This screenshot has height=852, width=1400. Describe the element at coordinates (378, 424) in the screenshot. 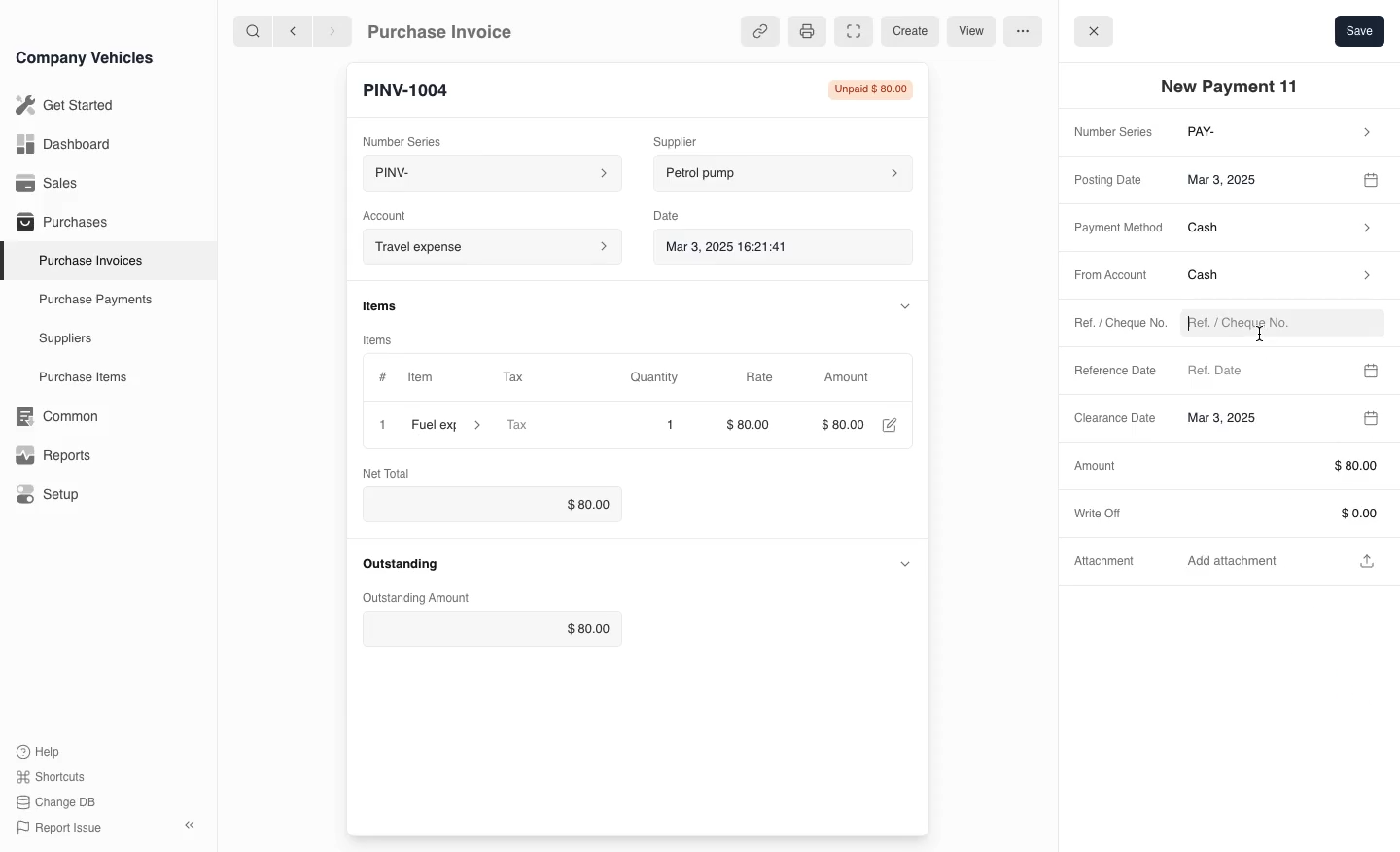

I see `close` at that location.